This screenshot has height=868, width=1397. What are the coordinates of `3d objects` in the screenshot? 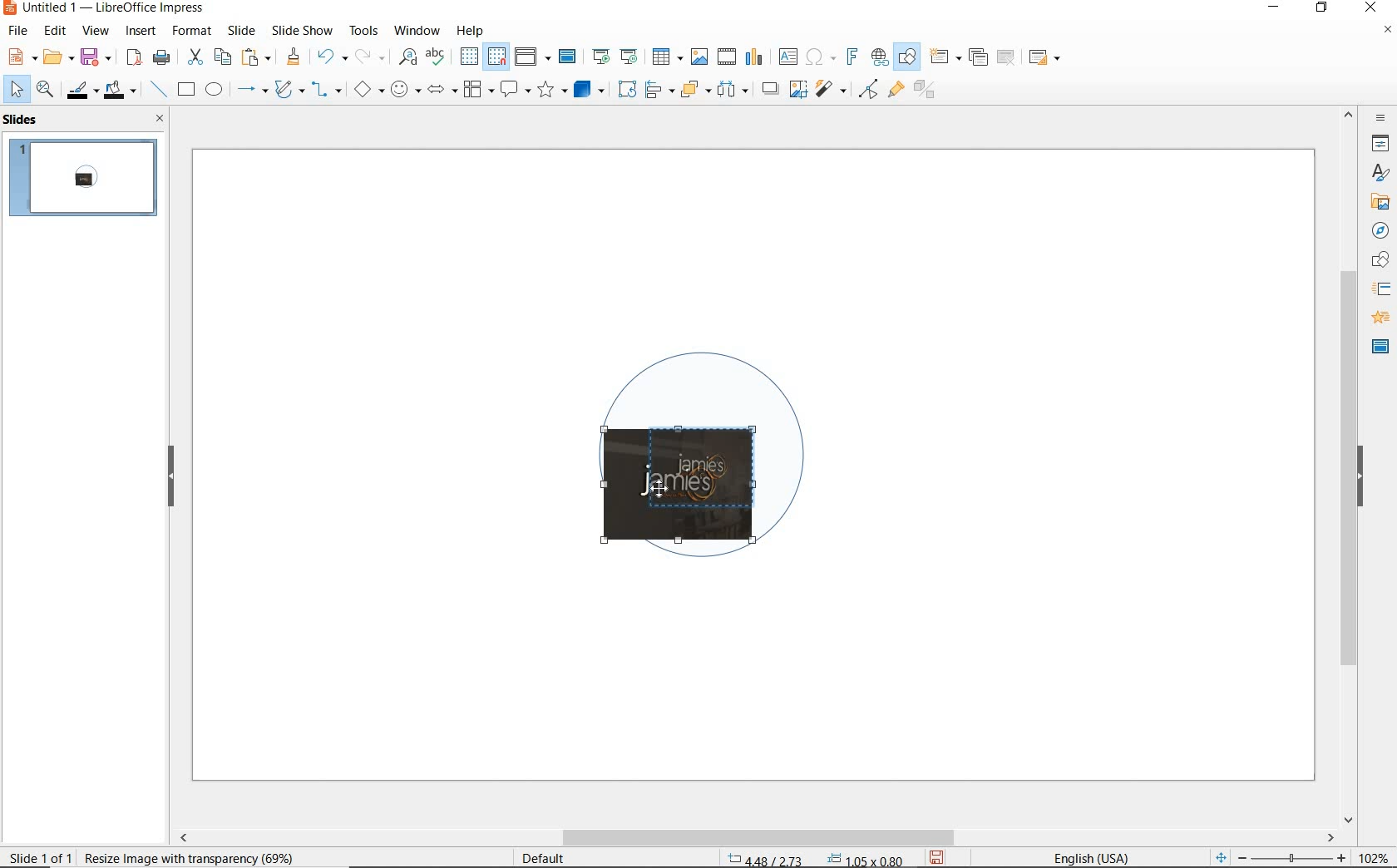 It's located at (590, 90).